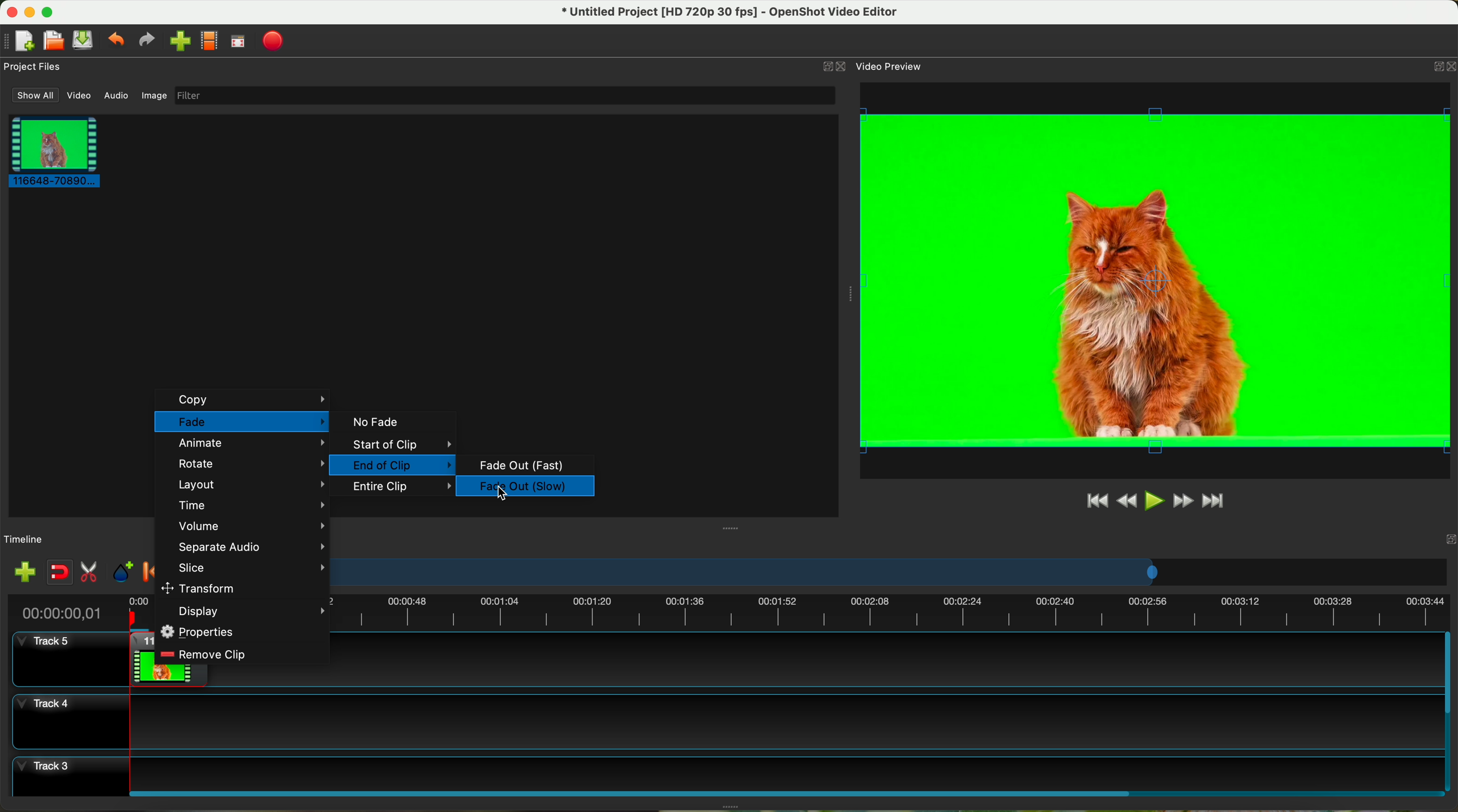 The image size is (1458, 812). I want to click on close, so click(833, 66).